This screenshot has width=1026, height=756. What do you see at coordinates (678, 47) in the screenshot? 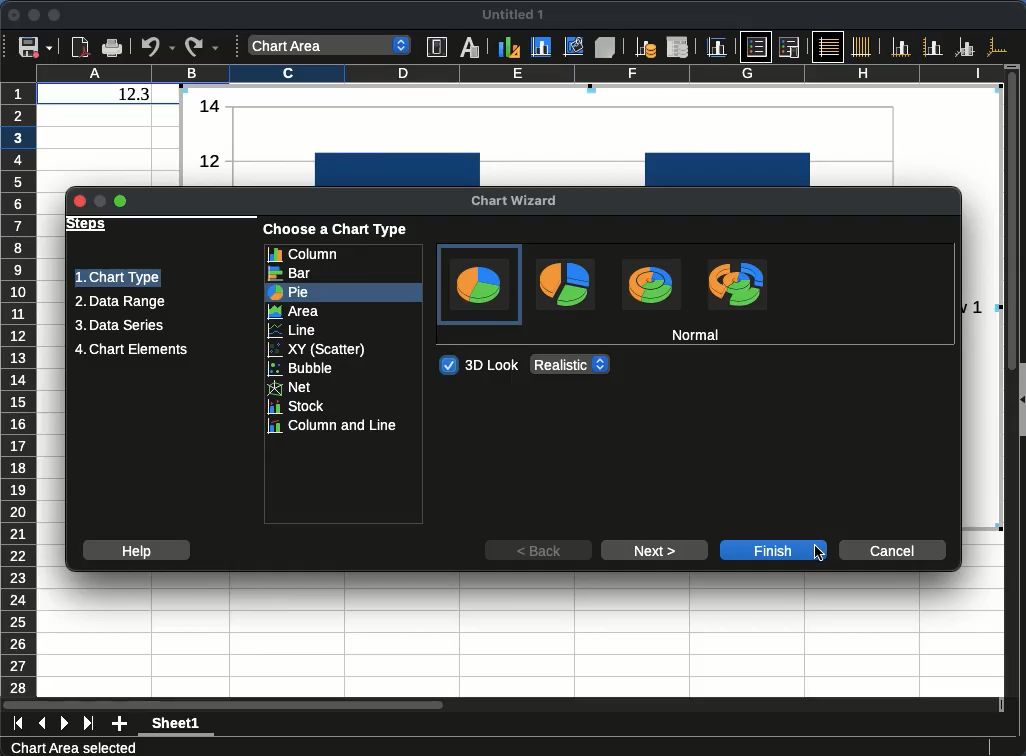
I see `Data table` at bounding box center [678, 47].